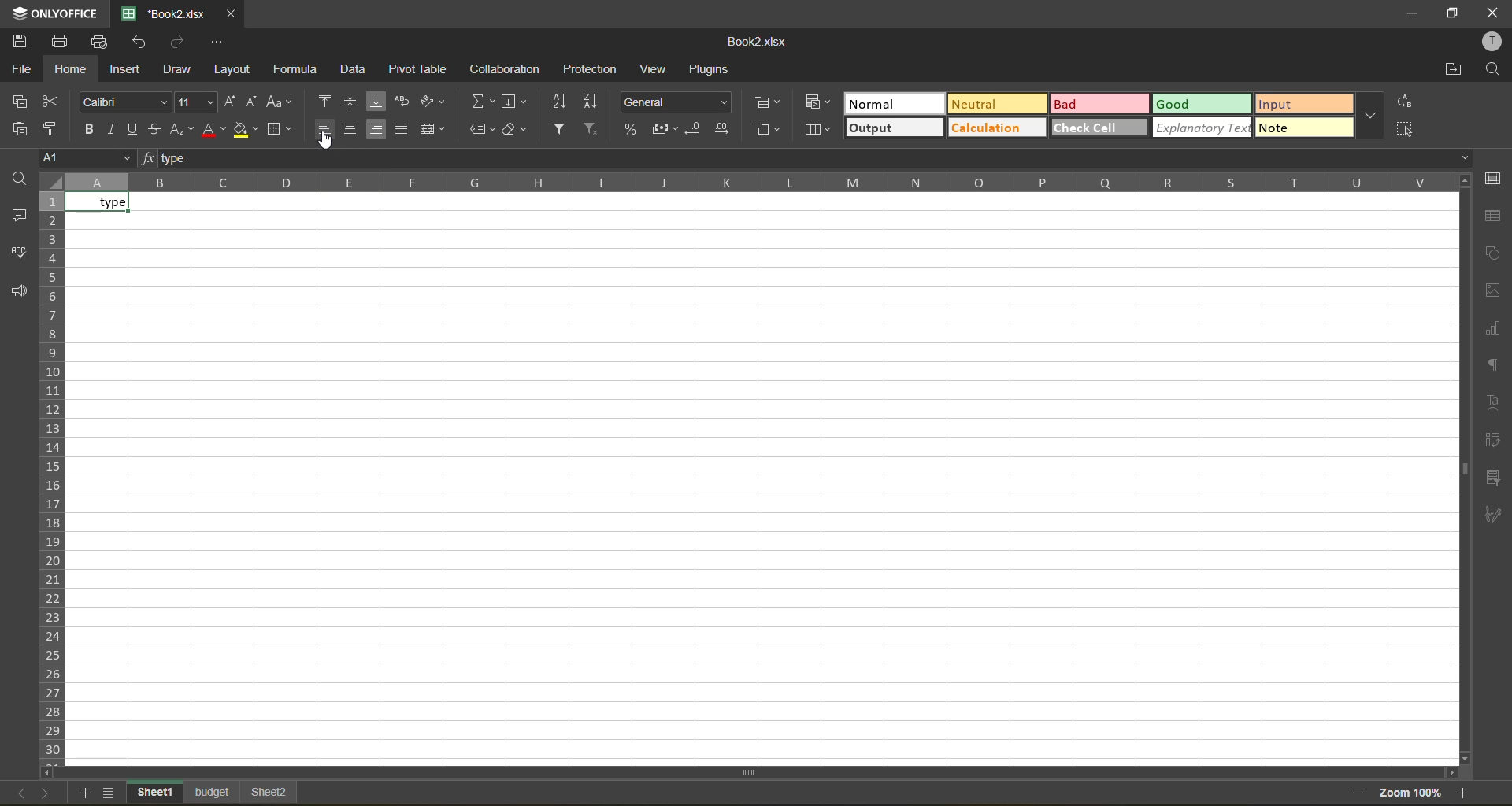 This screenshot has height=806, width=1512. What do you see at coordinates (327, 142) in the screenshot?
I see `cursor` at bounding box center [327, 142].